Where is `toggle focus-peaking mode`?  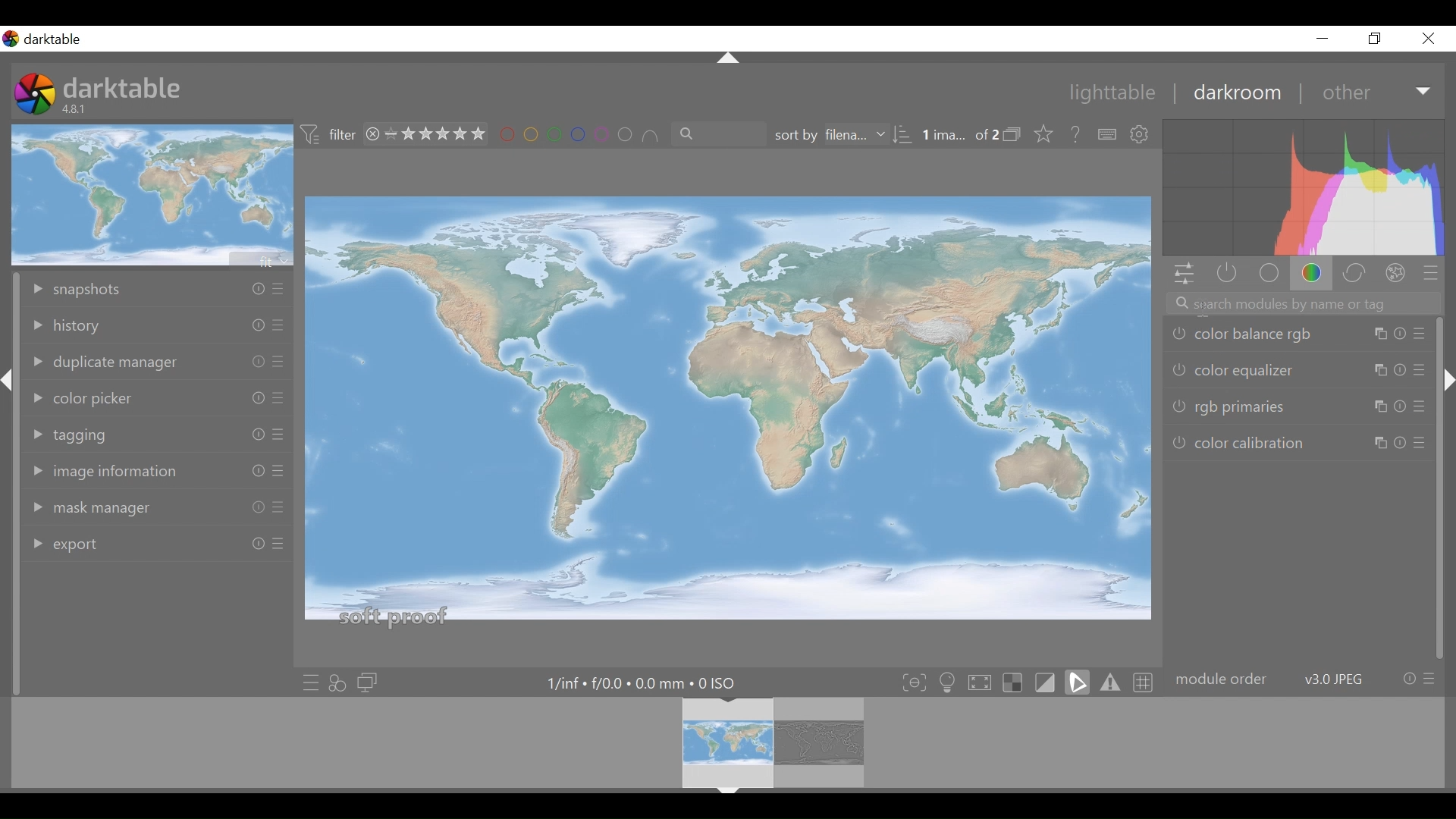 toggle focus-peaking mode is located at coordinates (912, 681).